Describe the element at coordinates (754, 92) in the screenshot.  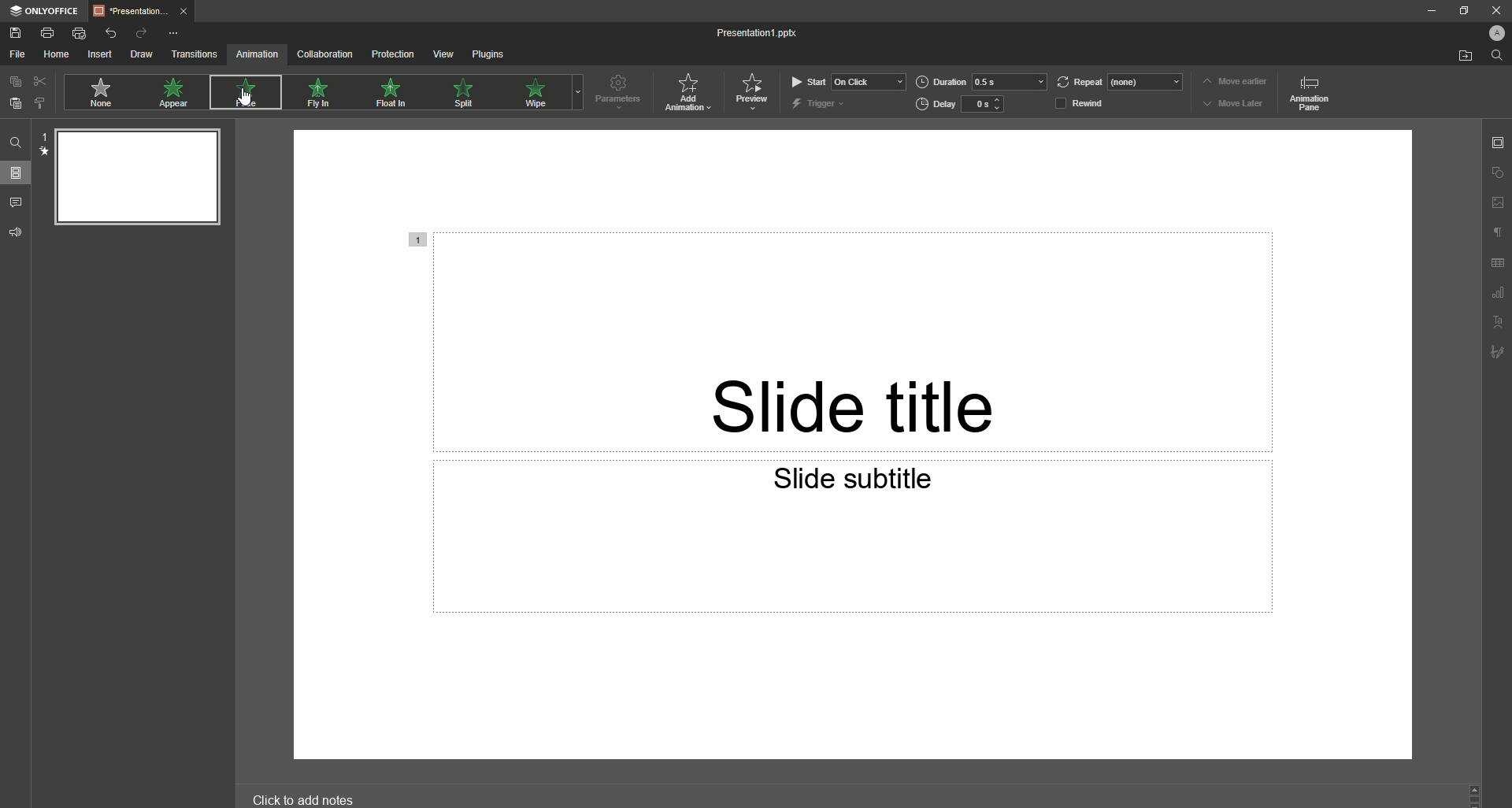
I see `Preview` at that location.